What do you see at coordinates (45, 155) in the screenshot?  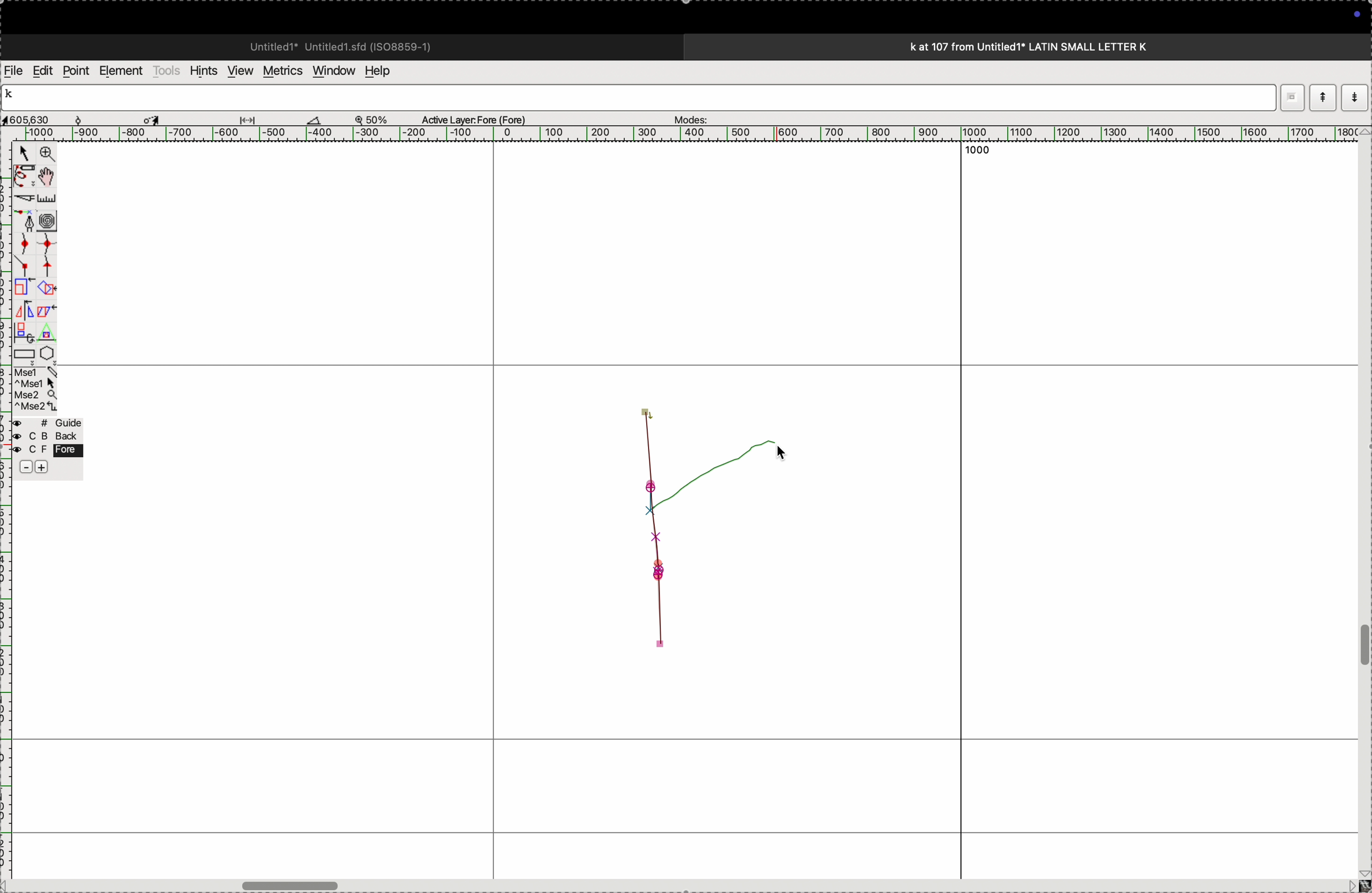 I see `zoom` at bounding box center [45, 155].